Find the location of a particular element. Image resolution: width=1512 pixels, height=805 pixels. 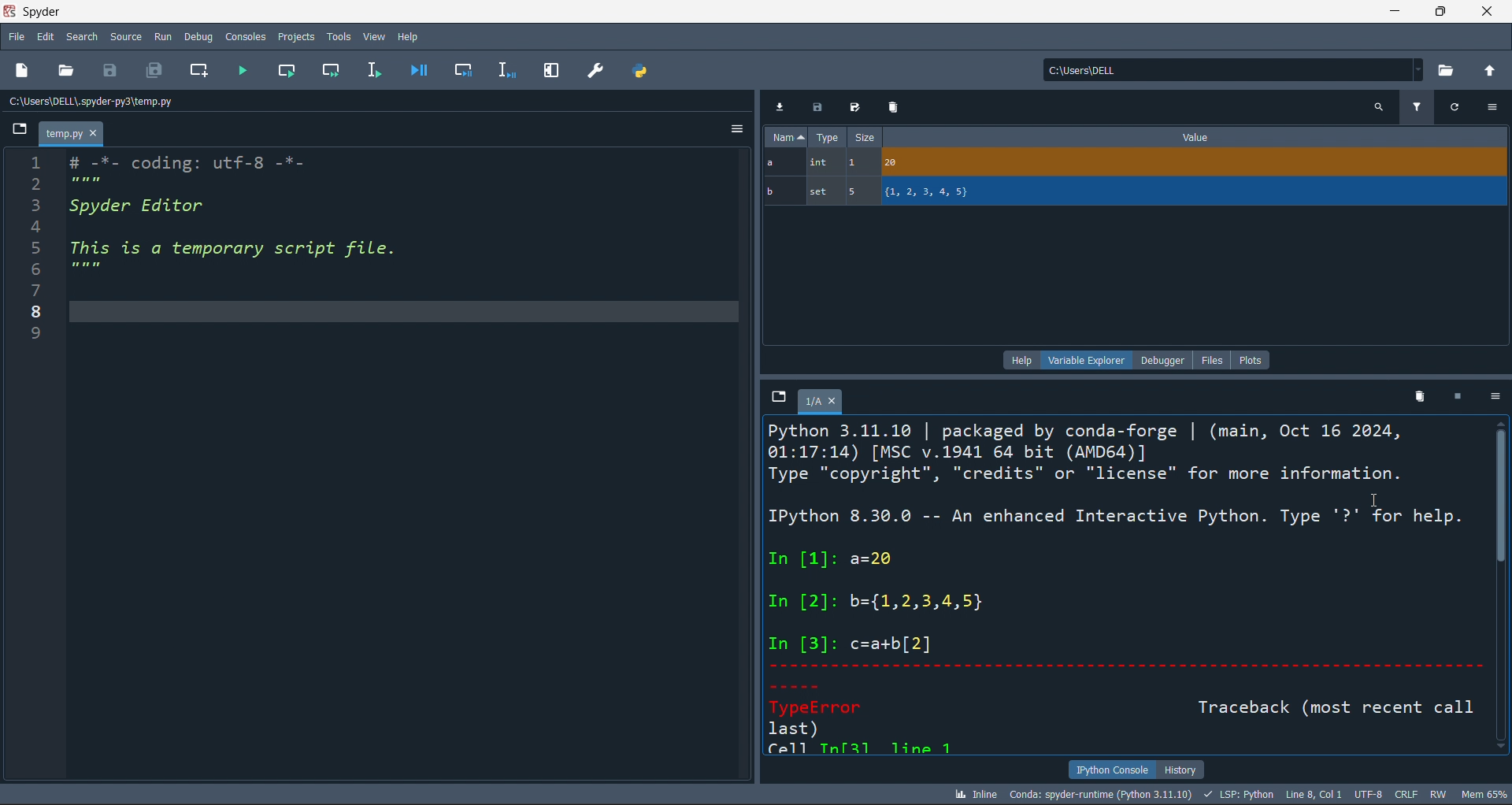

UTF-8 is located at coordinates (1370, 796).